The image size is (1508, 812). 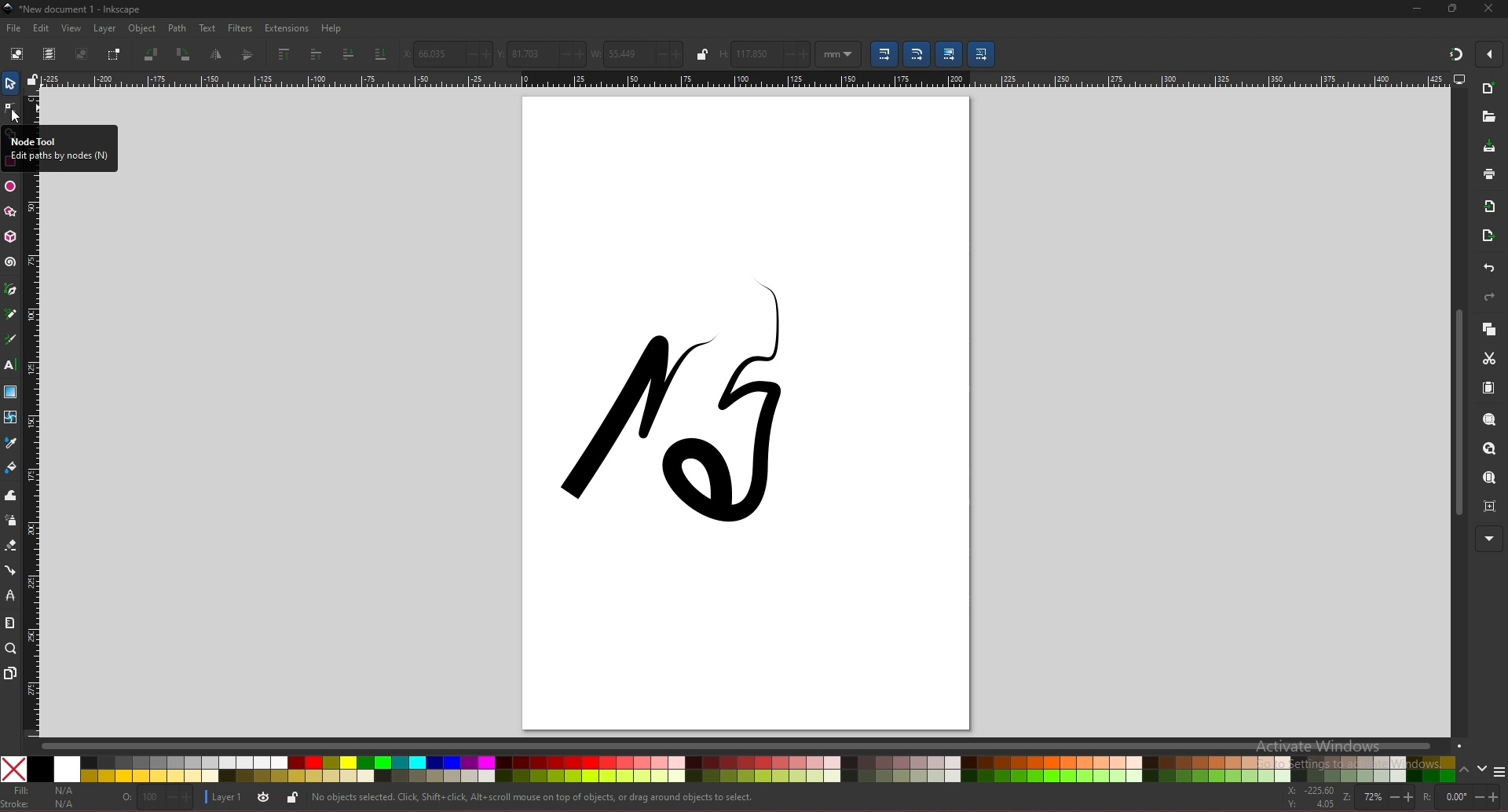 I want to click on more colors, so click(x=1499, y=770).